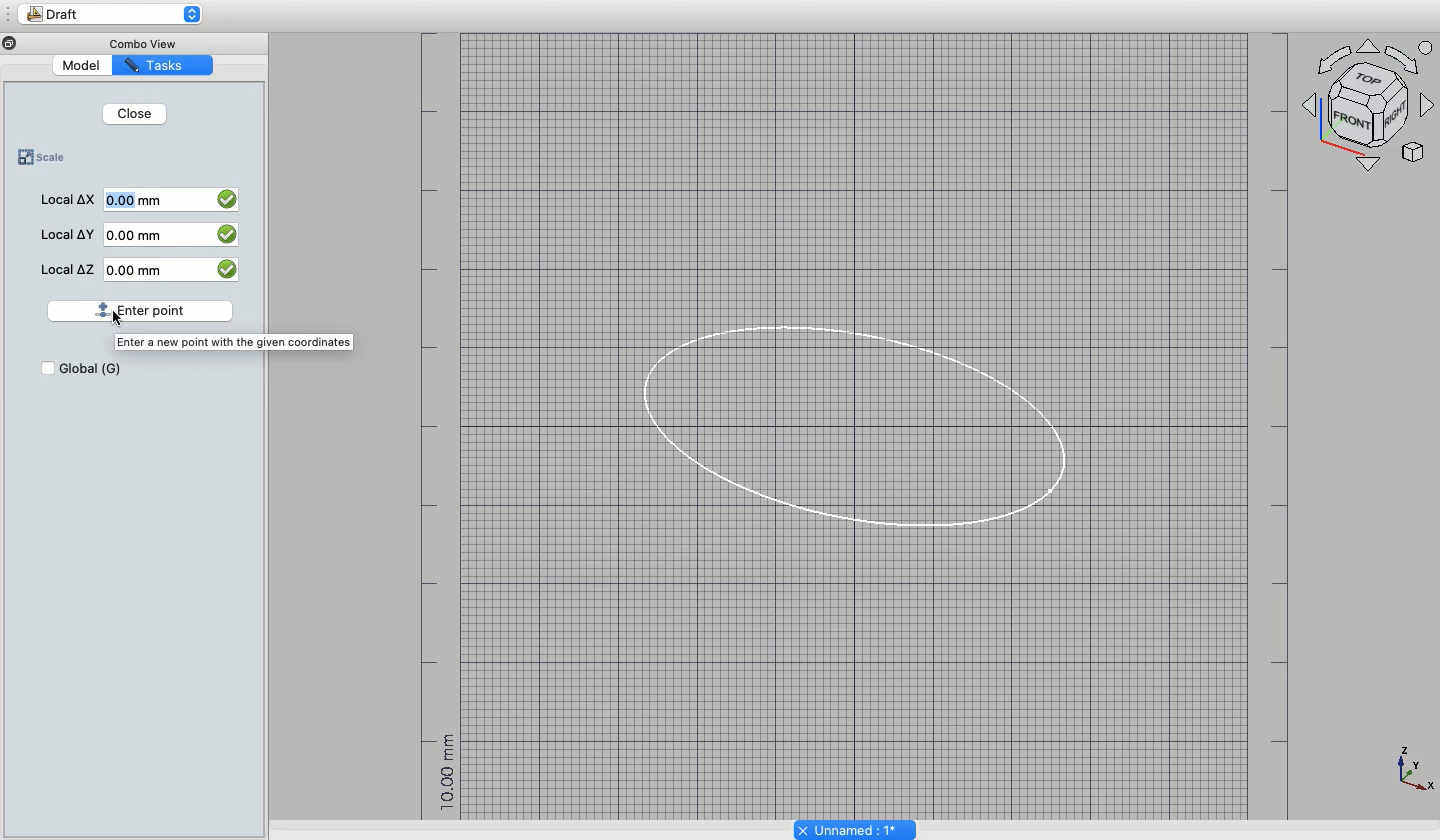 The height and width of the screenshot is (840, 1440). Describe the element at coordinates (1371, 103) in the screenshot. I see `Axes` at that location.